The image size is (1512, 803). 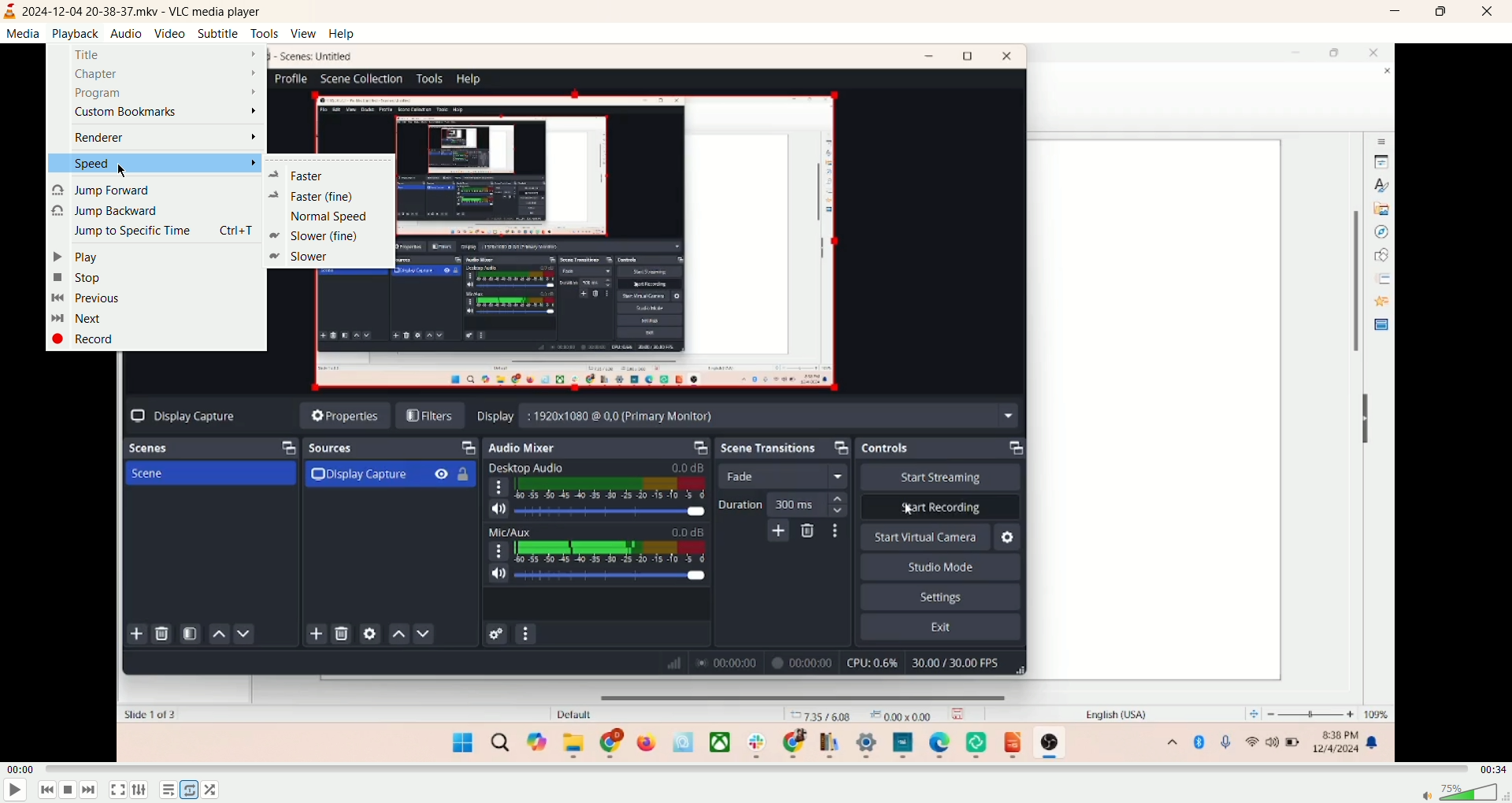 What do you see at coordinates (169, 113) in the screenshot?
I see `custom bookmarks` at bounding box center [169, 113].